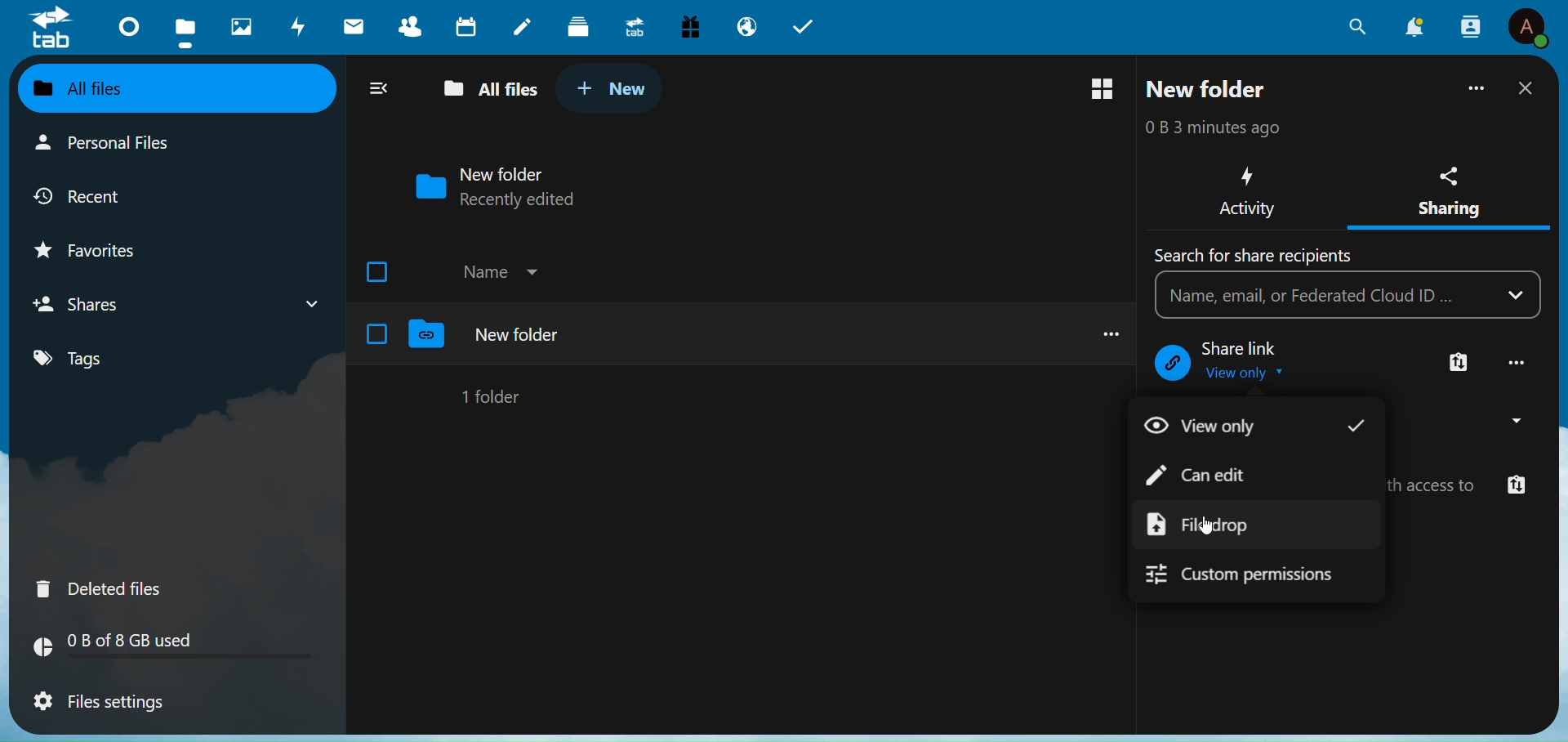 This screenshot has height=742, width=1568. What do you see at coordinates (1478, 87) in the screenshot?
I see ` More Options` at bounding box center [1478, 87].